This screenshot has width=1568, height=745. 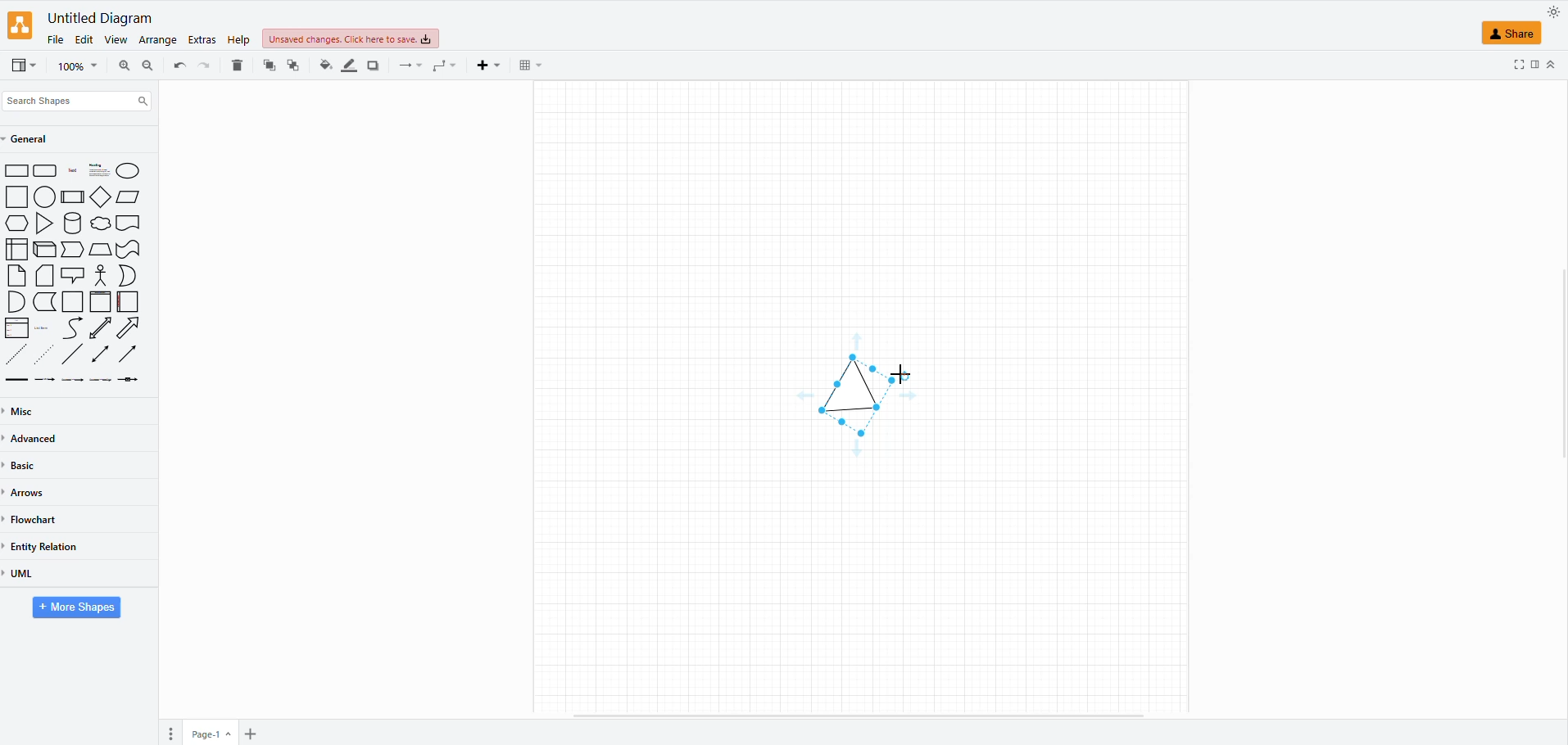 I want to click on File Icon, so click(x=45, y=276).